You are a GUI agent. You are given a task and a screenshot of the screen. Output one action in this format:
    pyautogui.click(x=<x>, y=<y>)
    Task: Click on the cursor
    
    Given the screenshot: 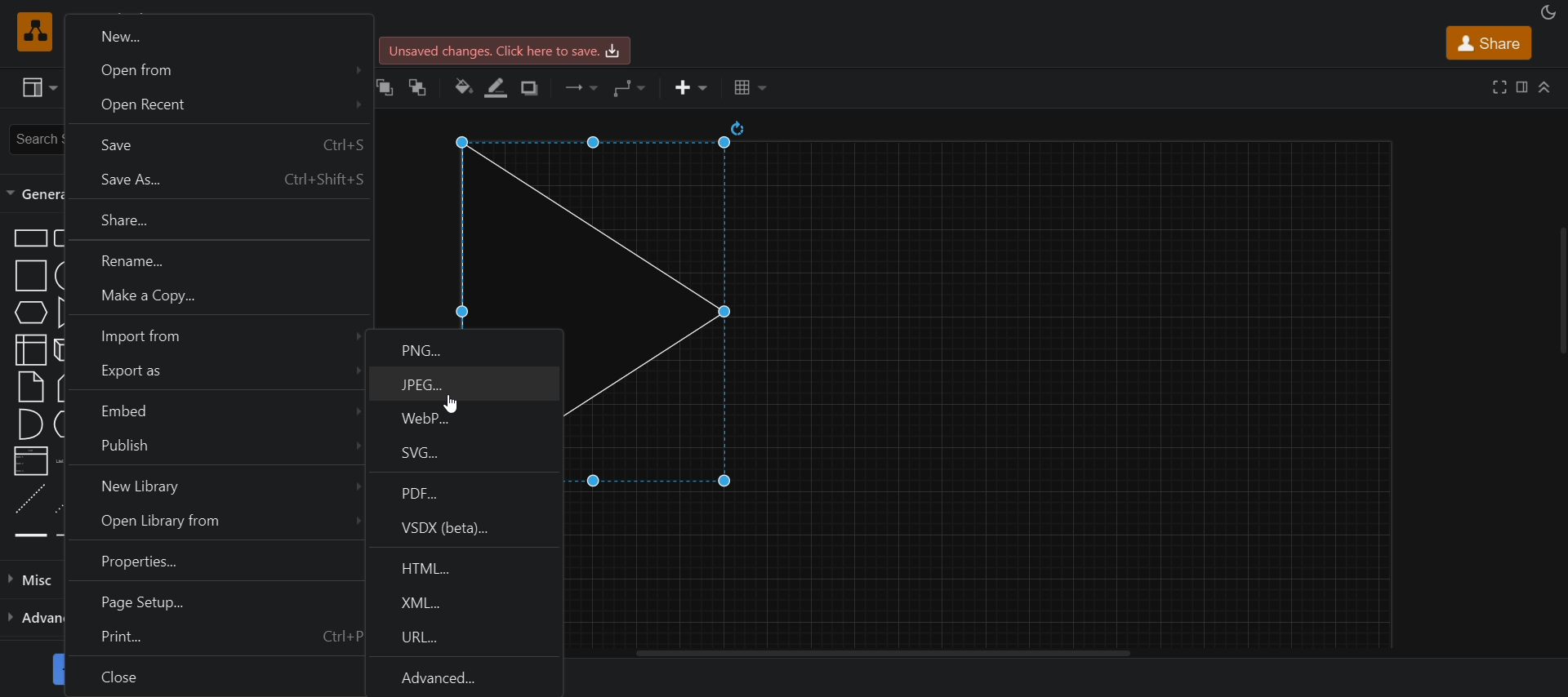 What is the action you would take?
    pyautogui.click(x=452, y=405)
    